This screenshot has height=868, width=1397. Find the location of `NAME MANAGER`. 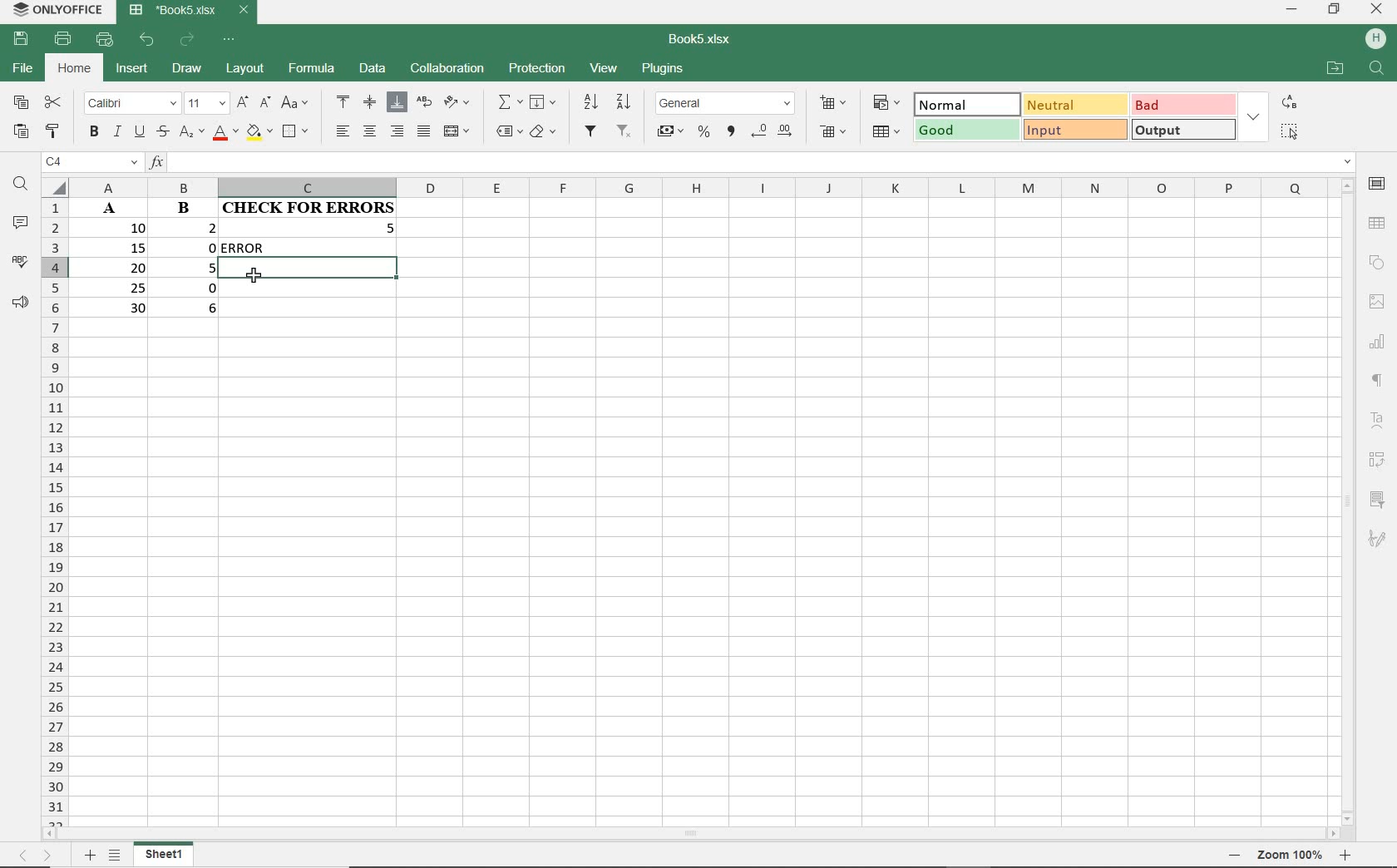

NAME MANAGER is located at coordinates (89, 164).